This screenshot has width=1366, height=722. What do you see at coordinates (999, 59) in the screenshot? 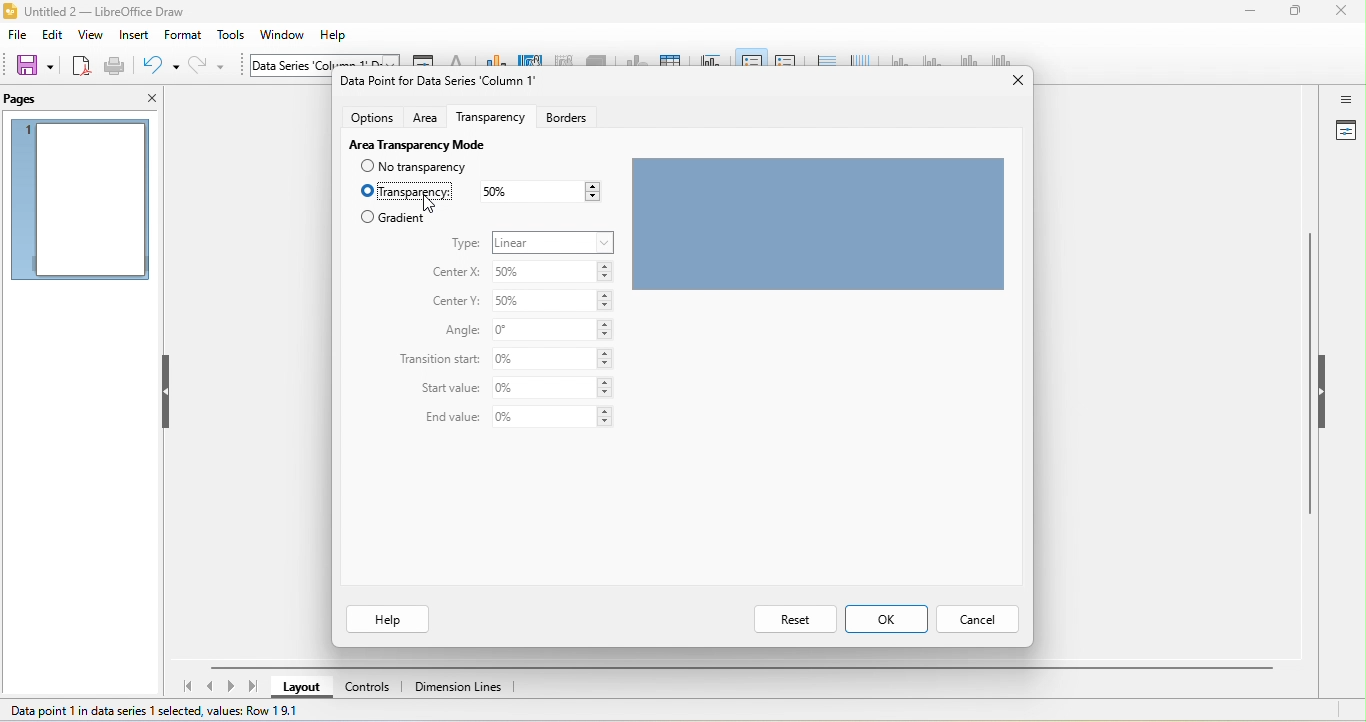
I see `all axes` at bounding box center [999, 59].